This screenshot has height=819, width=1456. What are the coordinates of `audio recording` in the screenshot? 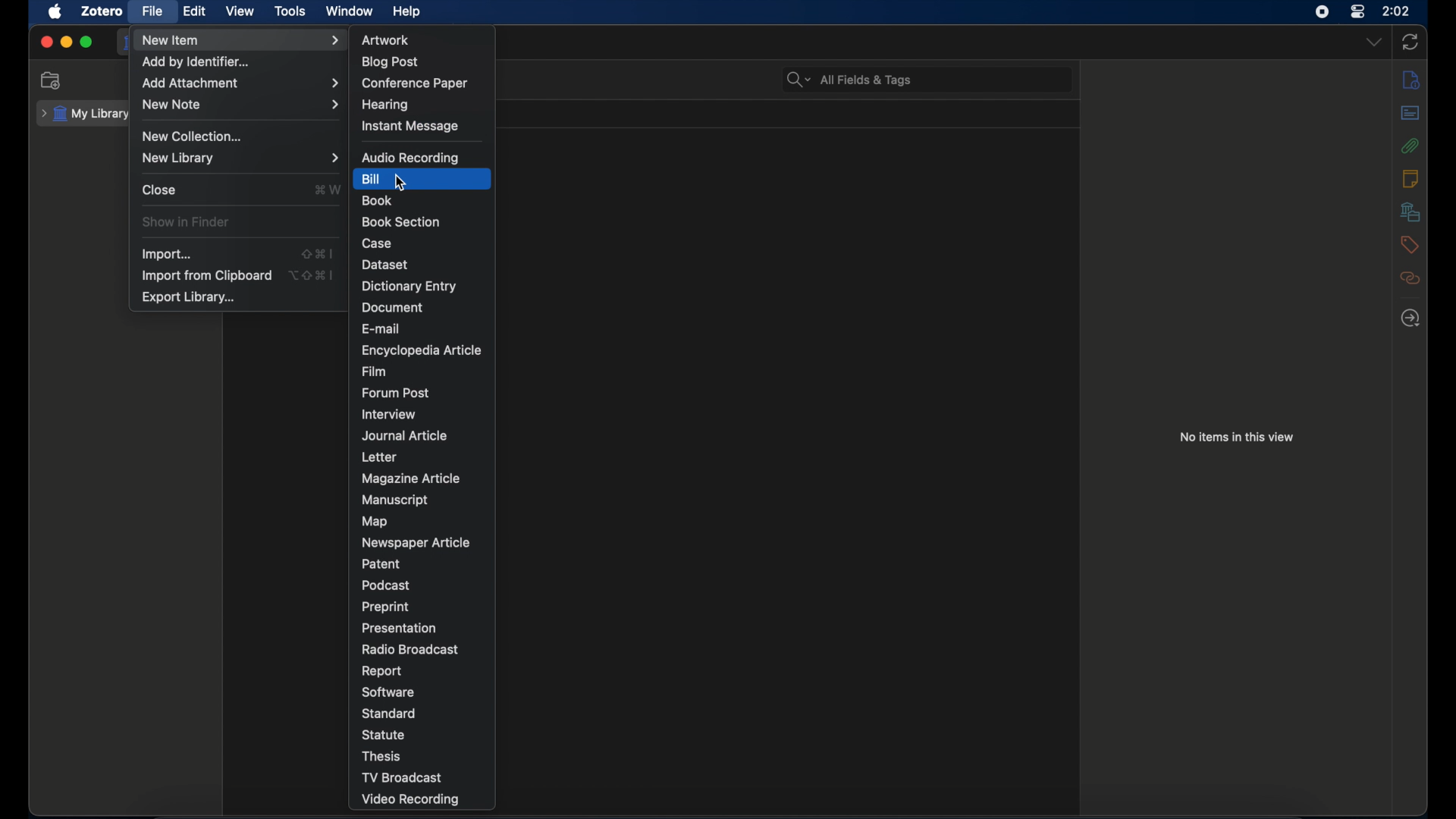 It's located at (413, 158).